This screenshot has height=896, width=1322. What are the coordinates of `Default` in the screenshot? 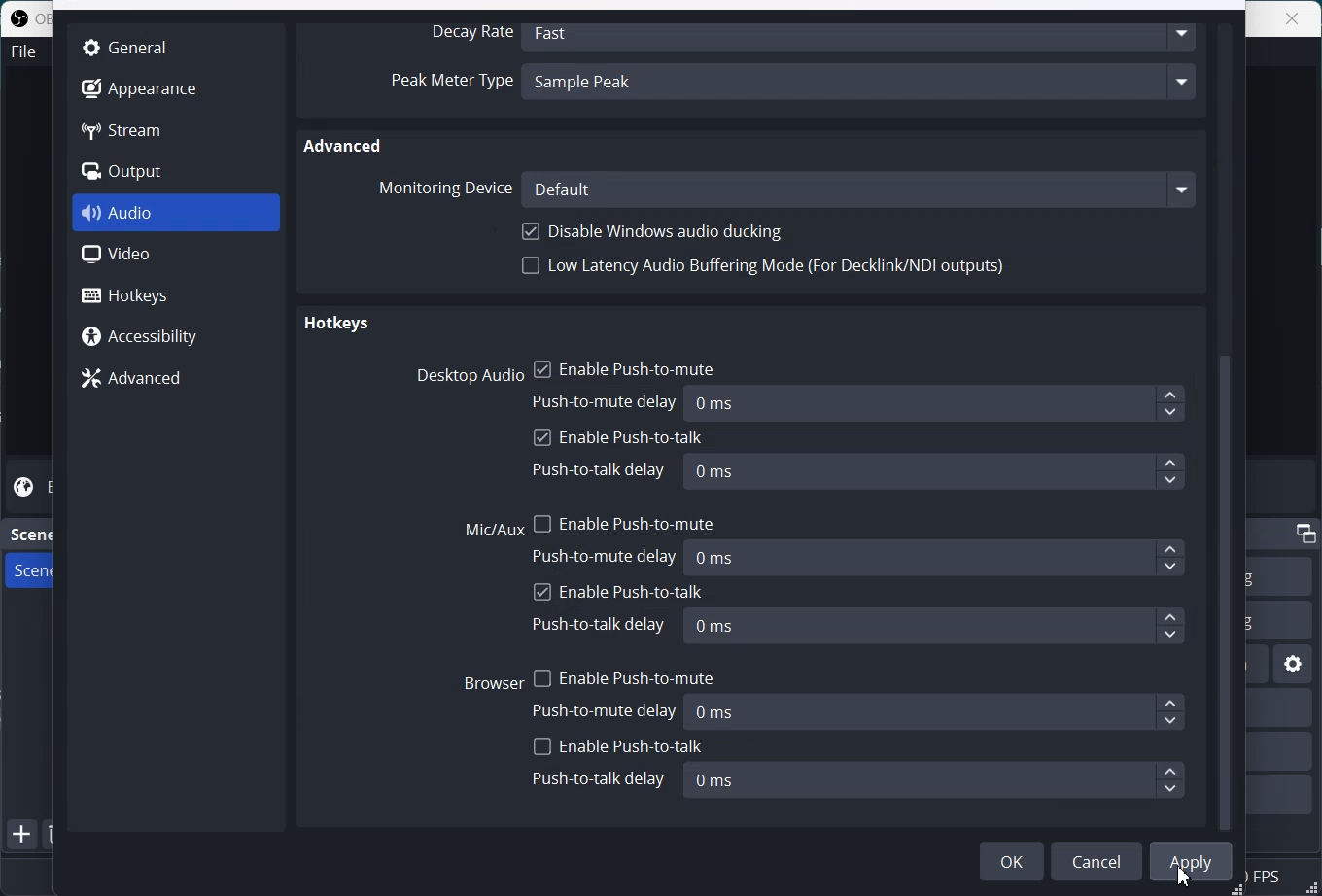 It's located at (859, 189).